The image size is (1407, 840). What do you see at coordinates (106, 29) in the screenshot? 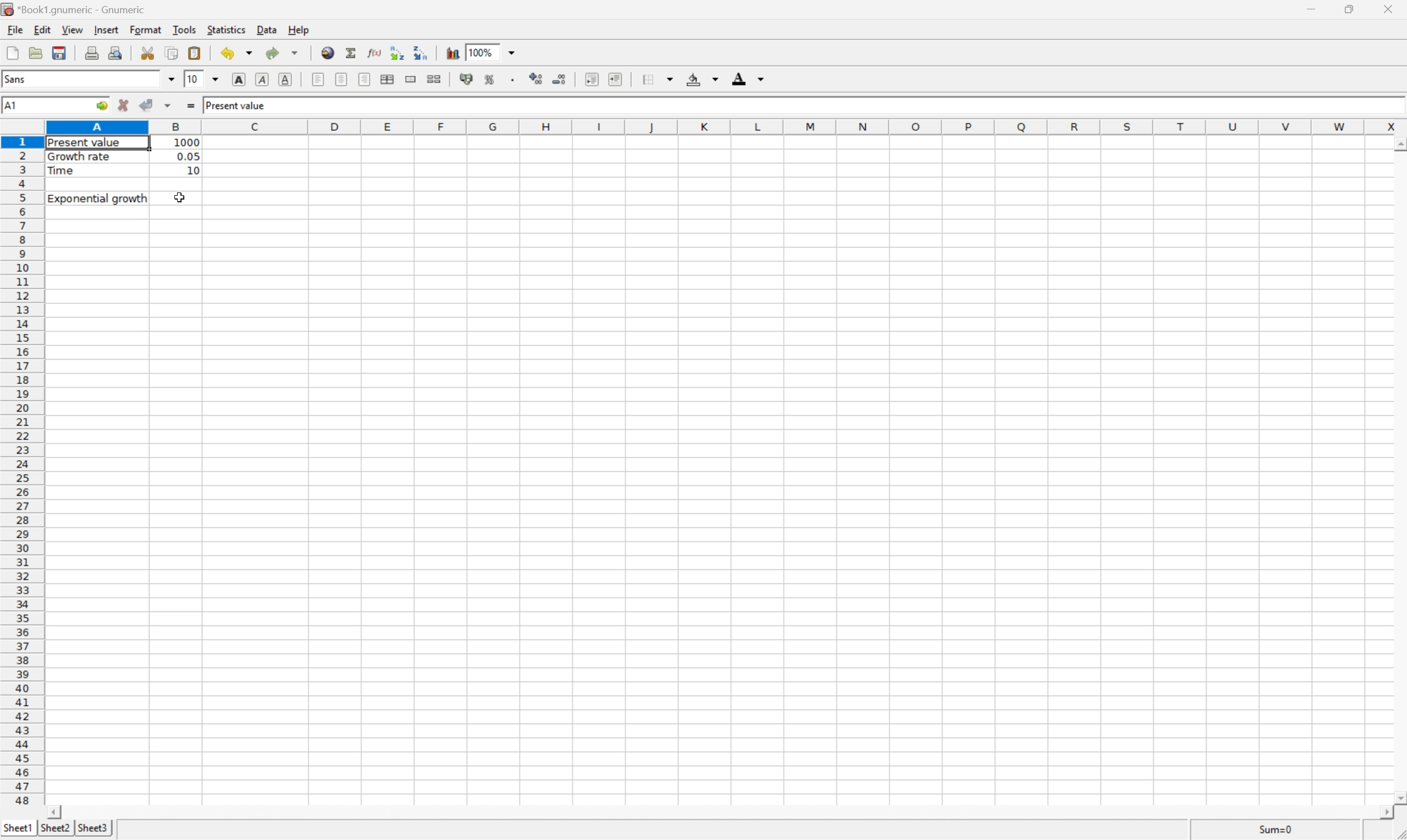
I see `Insert` at bounding box center [106, 29].